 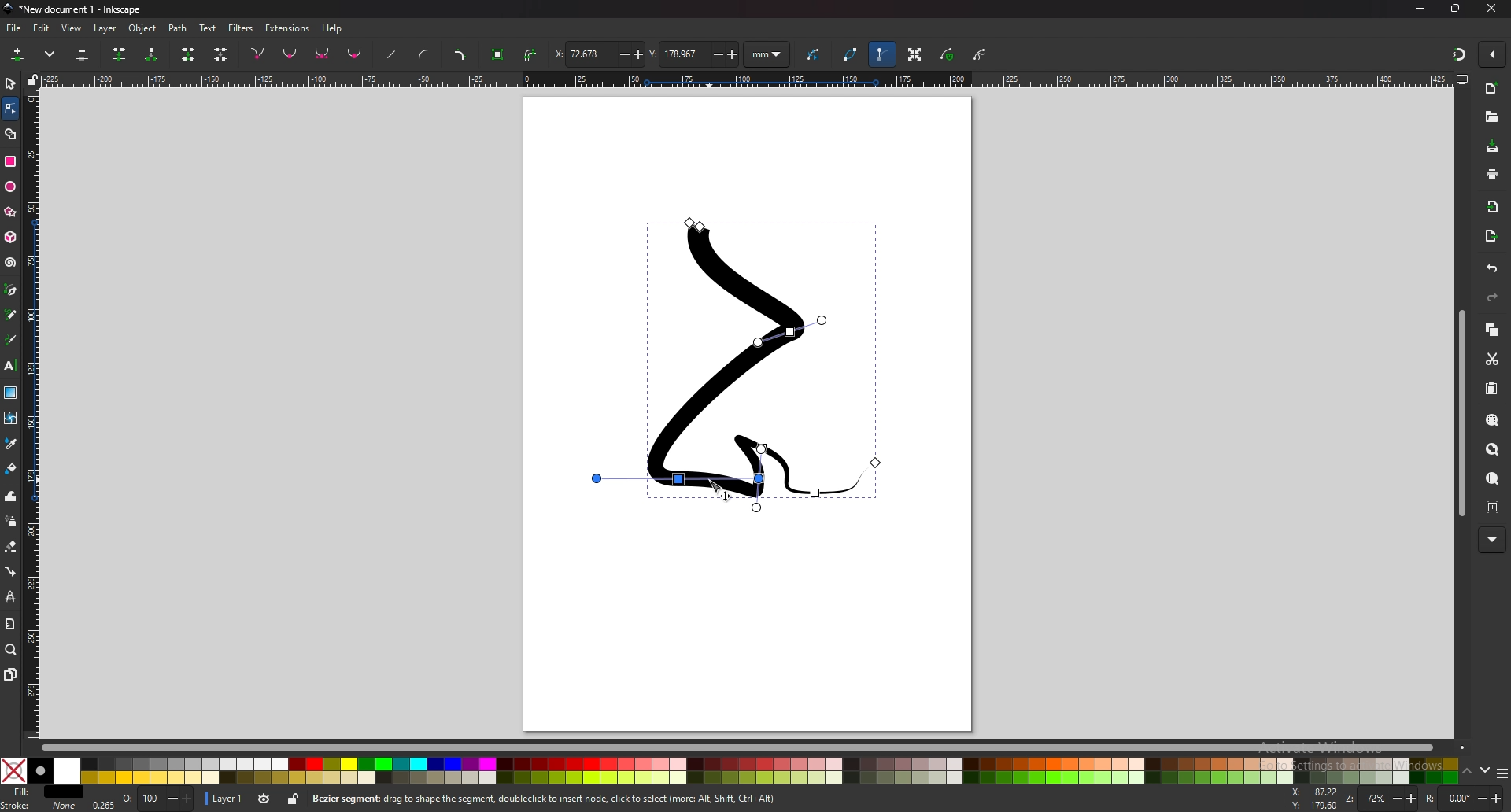 What do you see at coordinates (545, 799) in the screenshot?
I see `info` at bounding box center [545, 799].